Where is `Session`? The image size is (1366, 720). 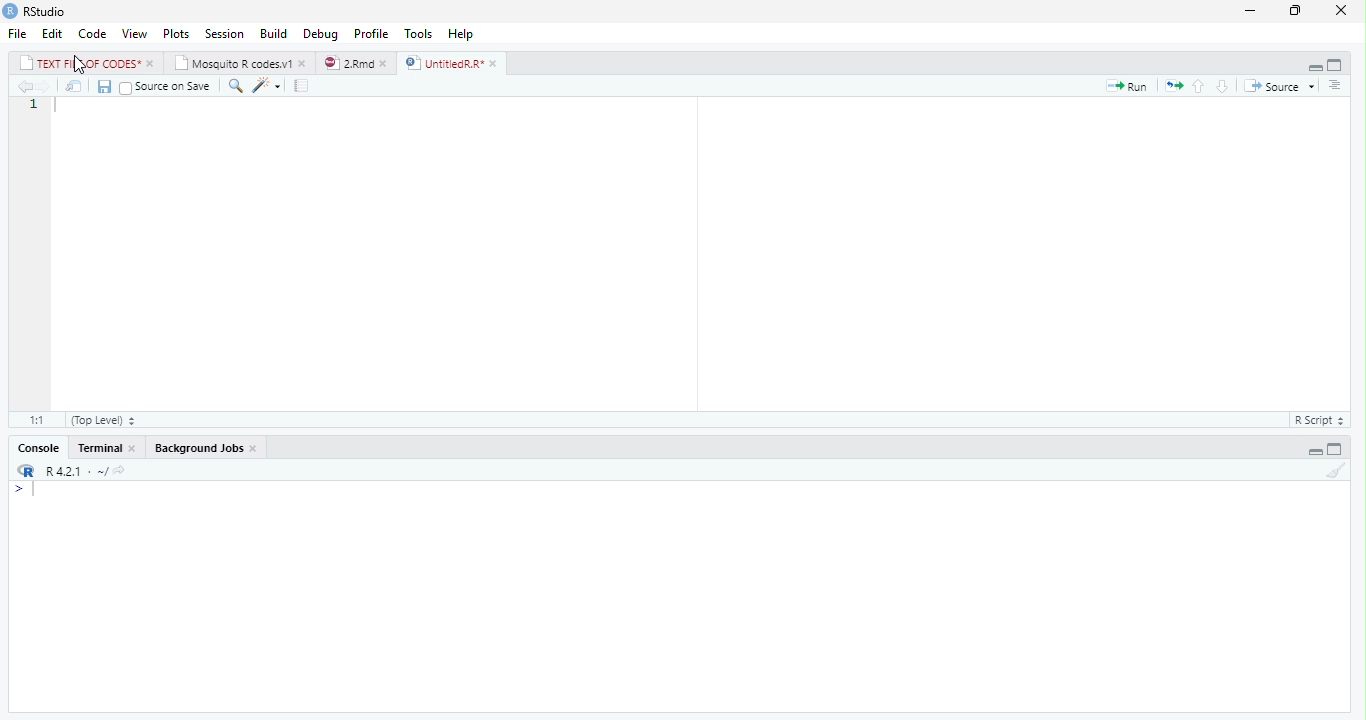 Session is located at coordinates (224, 33).